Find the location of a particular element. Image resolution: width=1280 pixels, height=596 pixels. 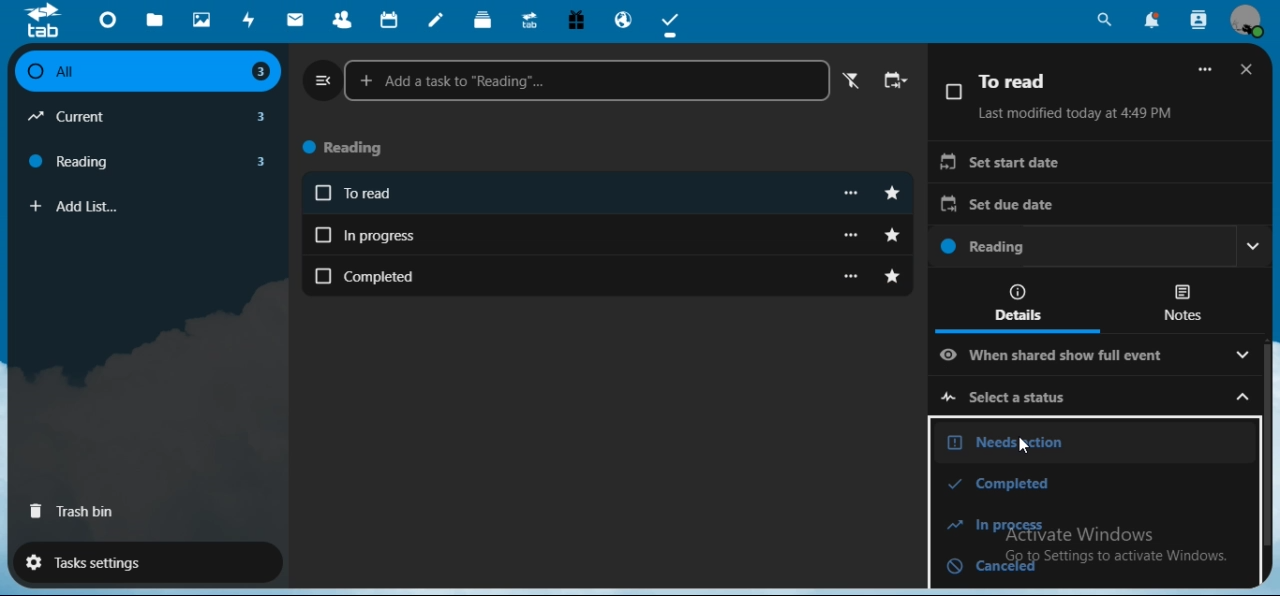

close is located at coordinates (1249, 72).